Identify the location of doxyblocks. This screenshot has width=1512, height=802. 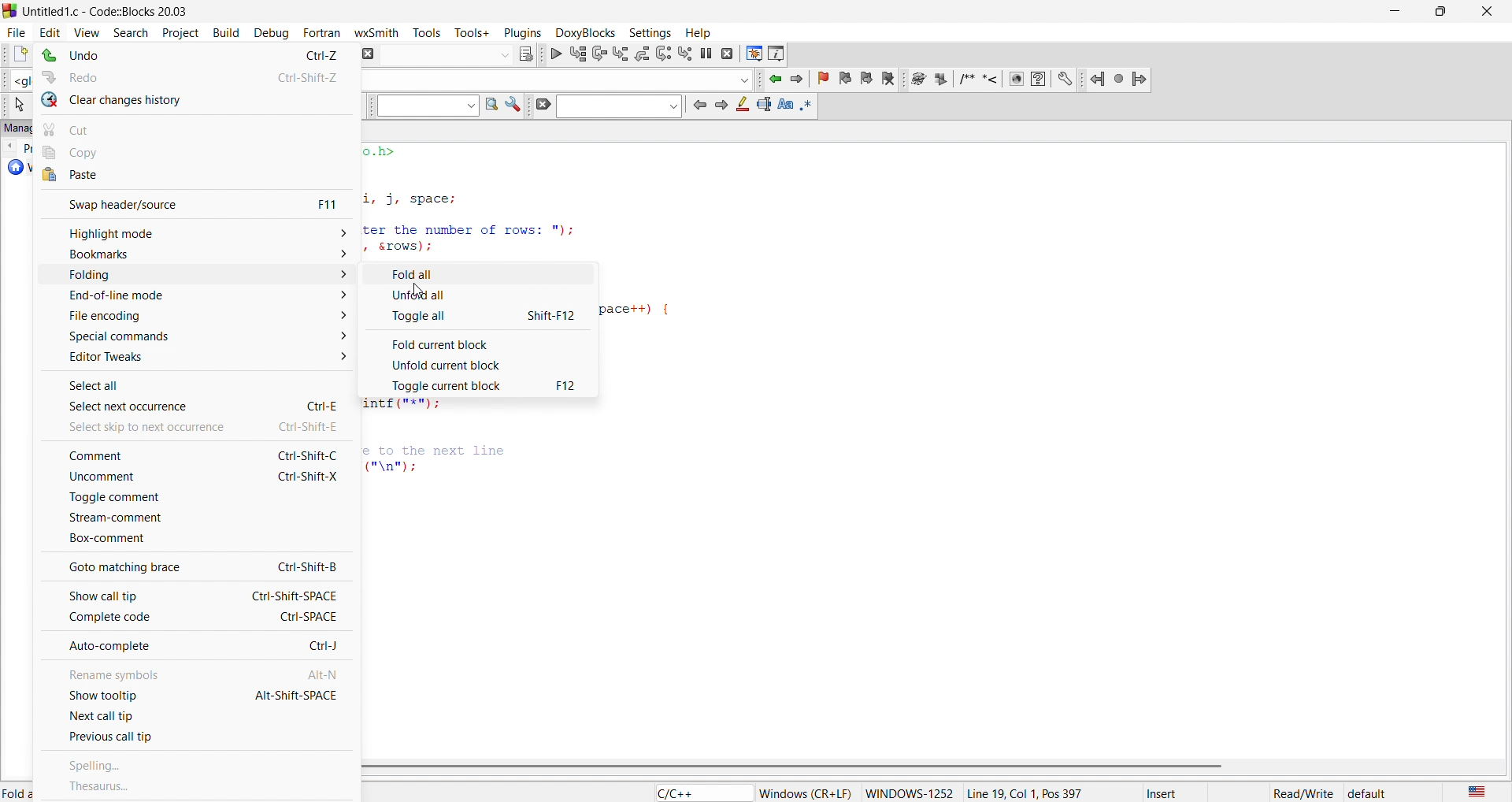
(583, 31).